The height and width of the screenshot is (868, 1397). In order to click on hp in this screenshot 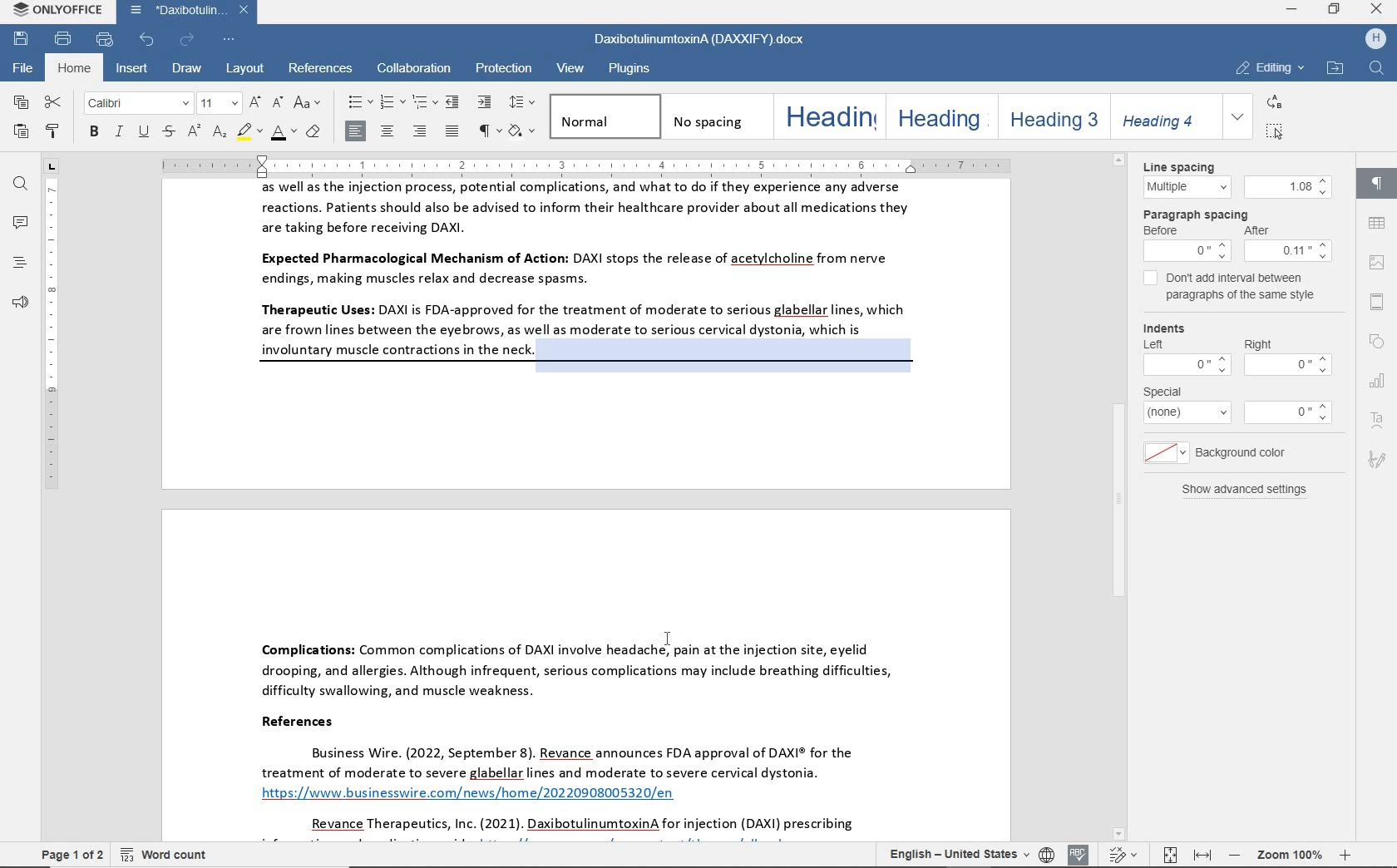, I will do `click(1372, 40)`.